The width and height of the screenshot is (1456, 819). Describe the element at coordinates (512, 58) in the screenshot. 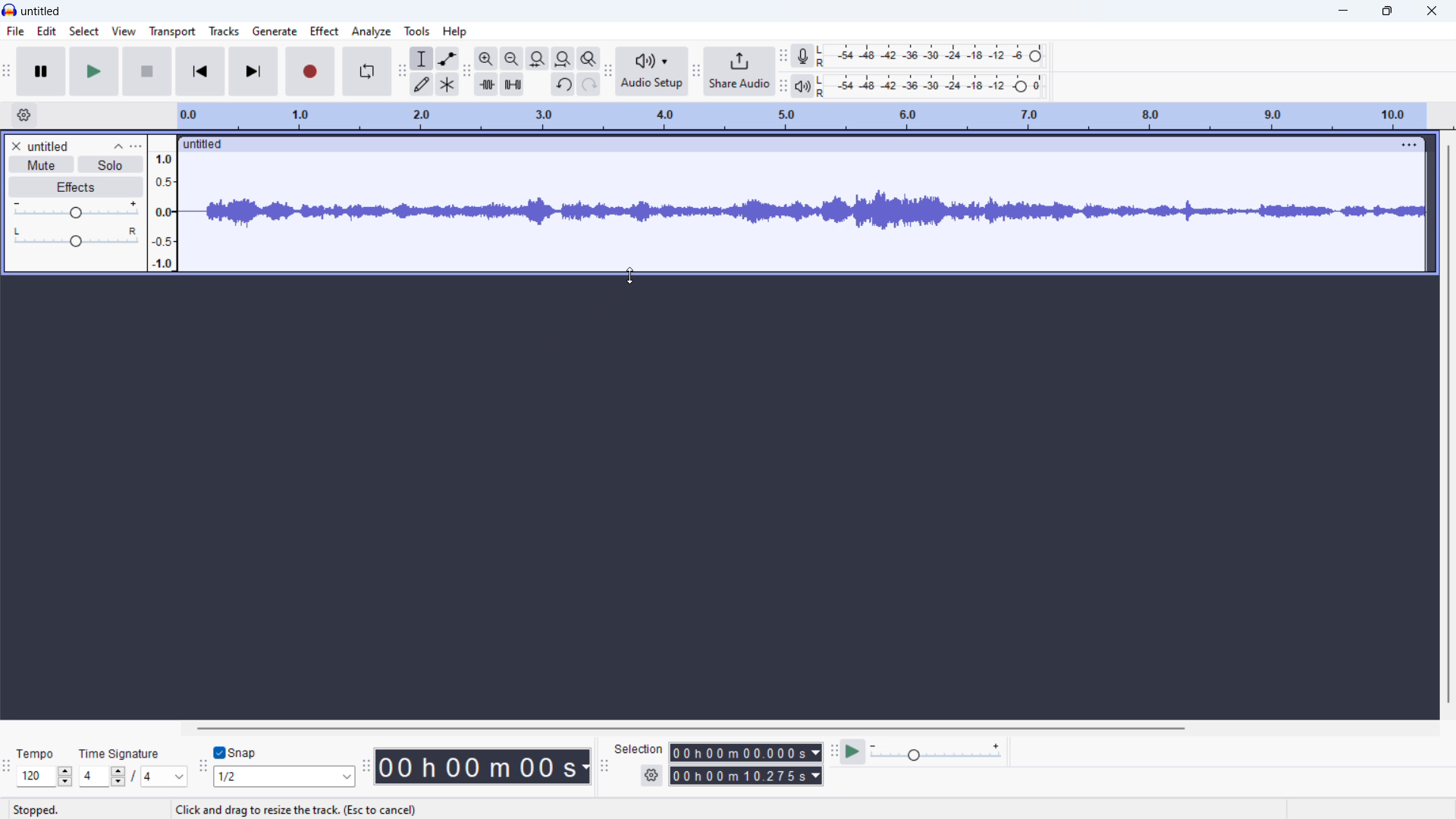

I see `zoom out` at that location.